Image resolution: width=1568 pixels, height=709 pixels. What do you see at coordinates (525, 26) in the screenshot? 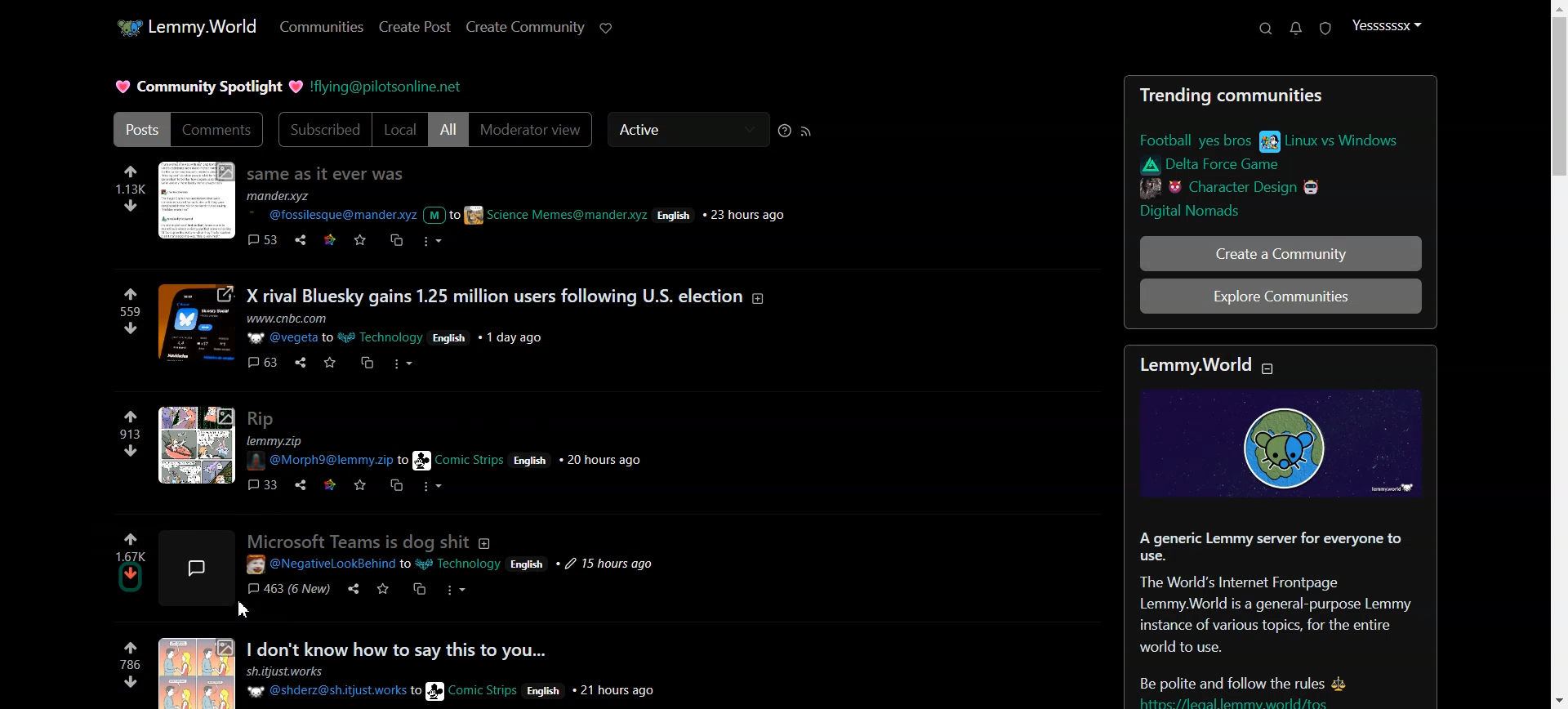
I see `Create Community` at bounding box center [525, 26].